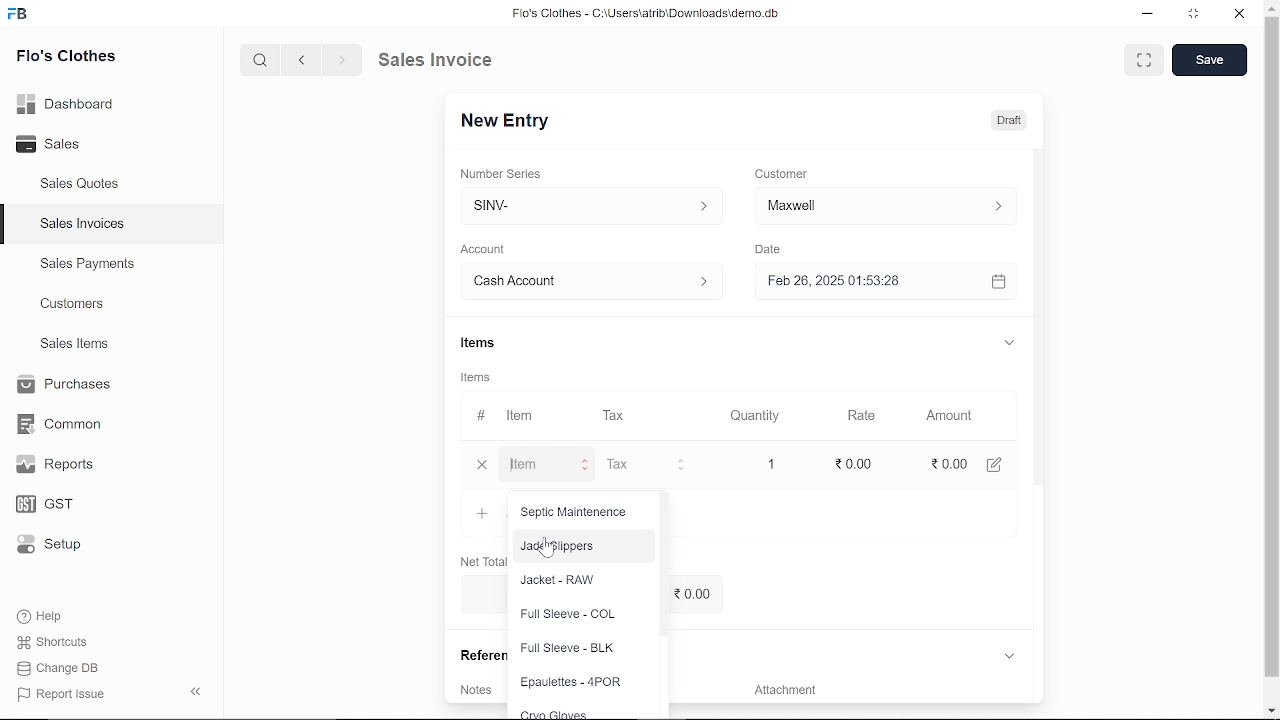 The image size is (1280, 720). I want to click on Sales Payments., so click(86, 264).